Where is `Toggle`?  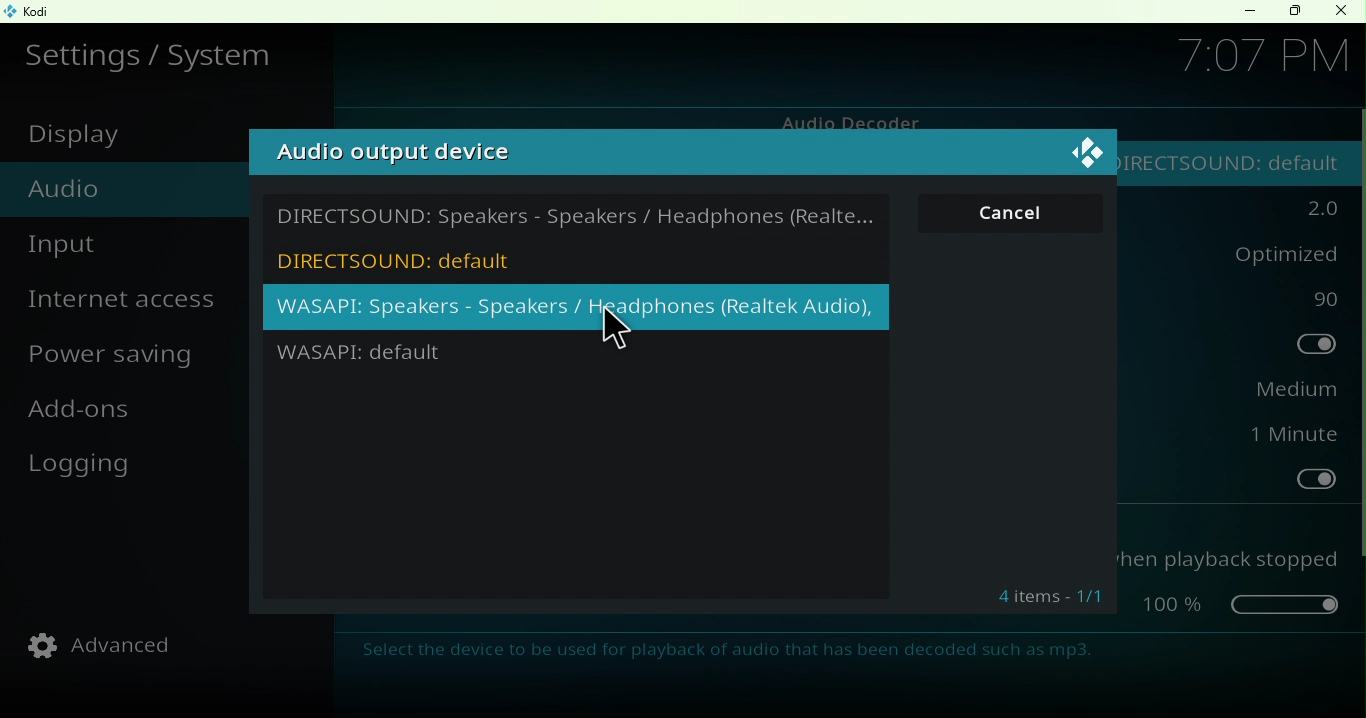
Toggle is located at coordinates (1314, 341).